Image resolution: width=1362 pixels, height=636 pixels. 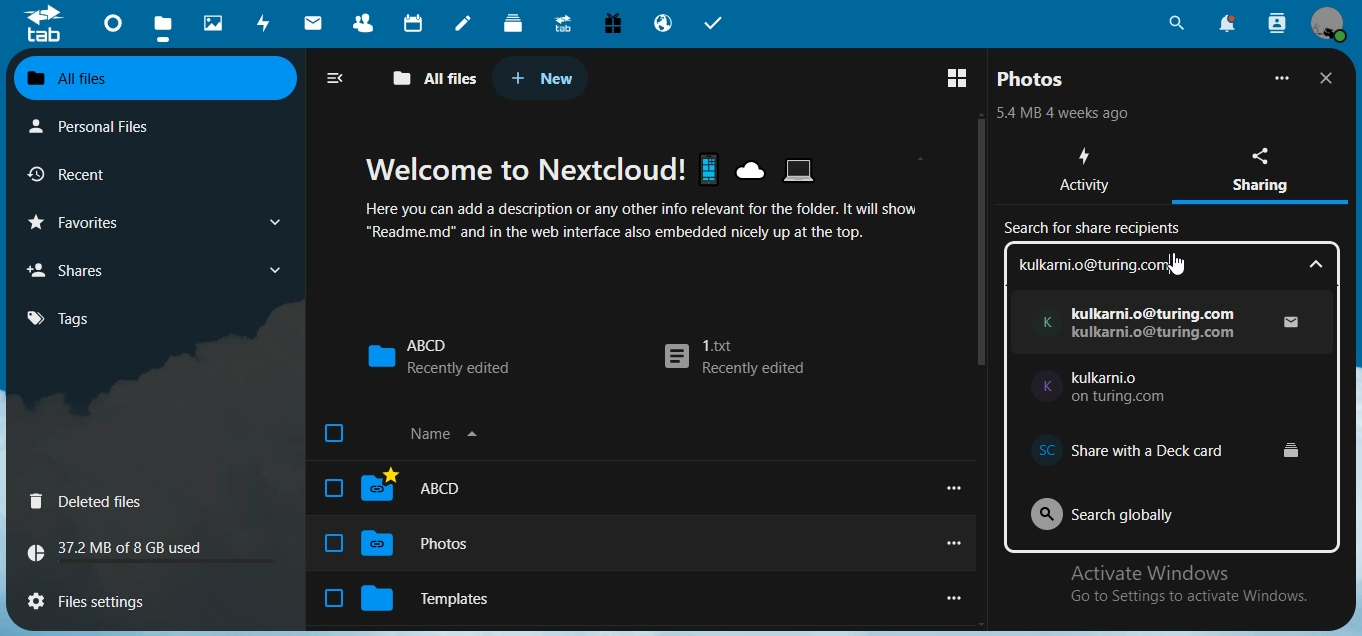 I want to click on show grid view, so click(x=961, y=76).